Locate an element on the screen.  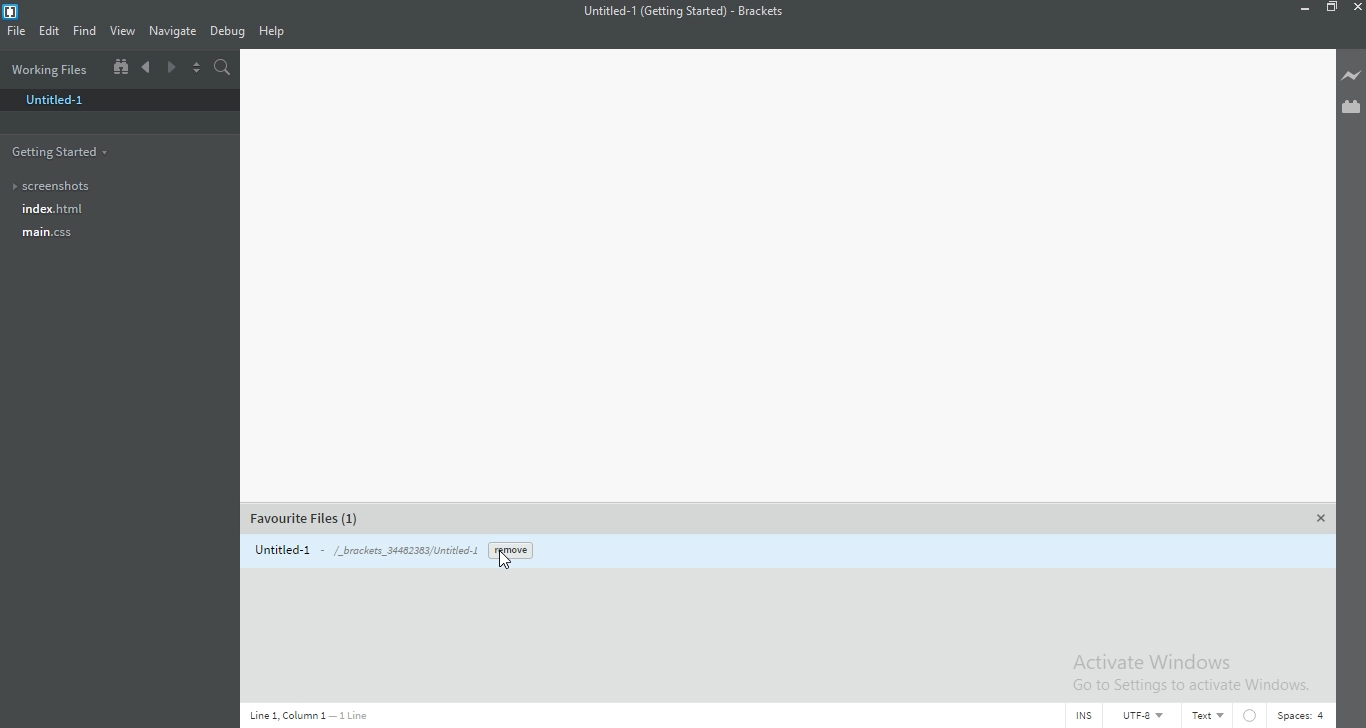
Minimise is located at coordinates (1302, 8).